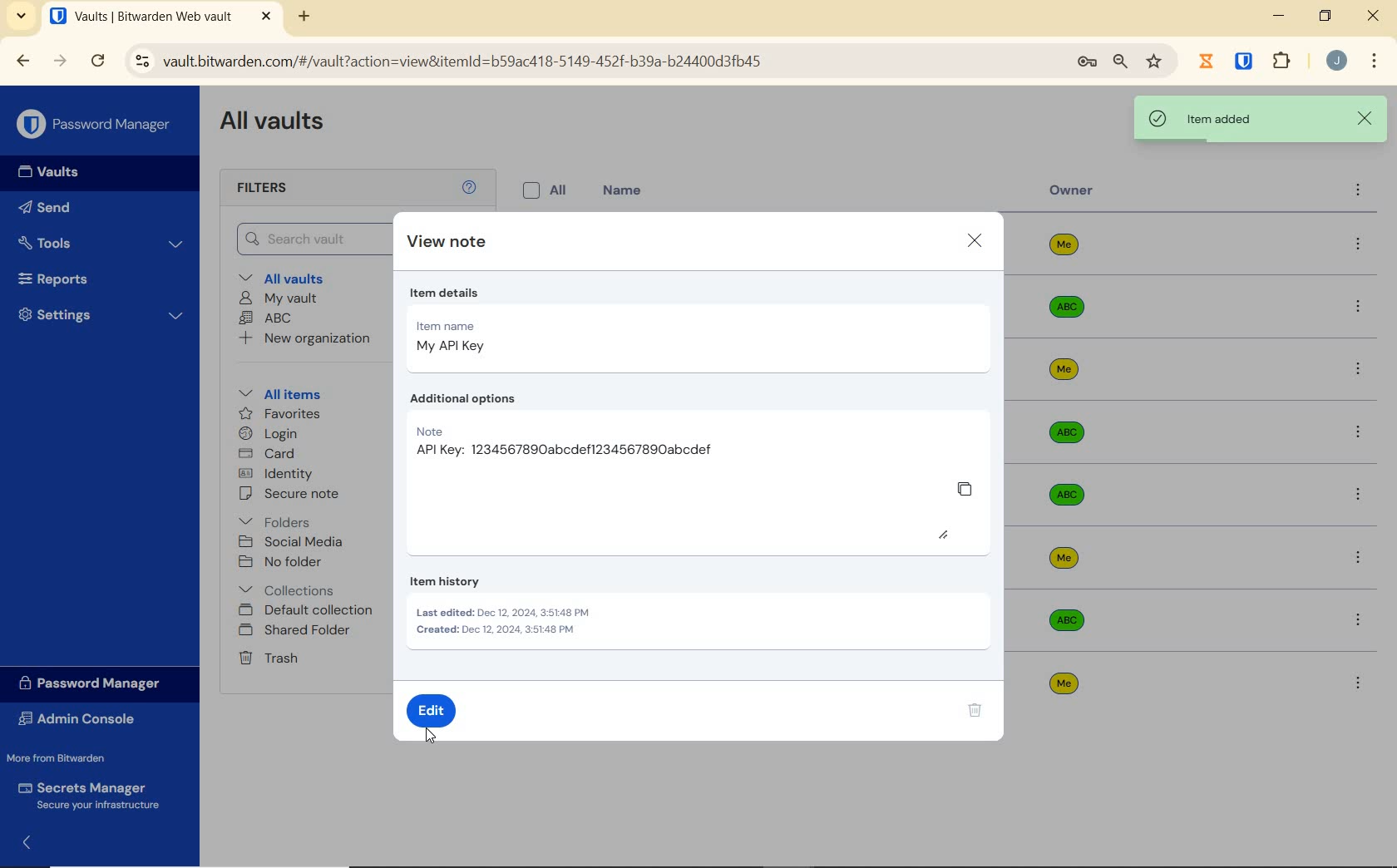  Describe the element at coordinates (76, 210) in the screenshot. I see `Send` at that location.